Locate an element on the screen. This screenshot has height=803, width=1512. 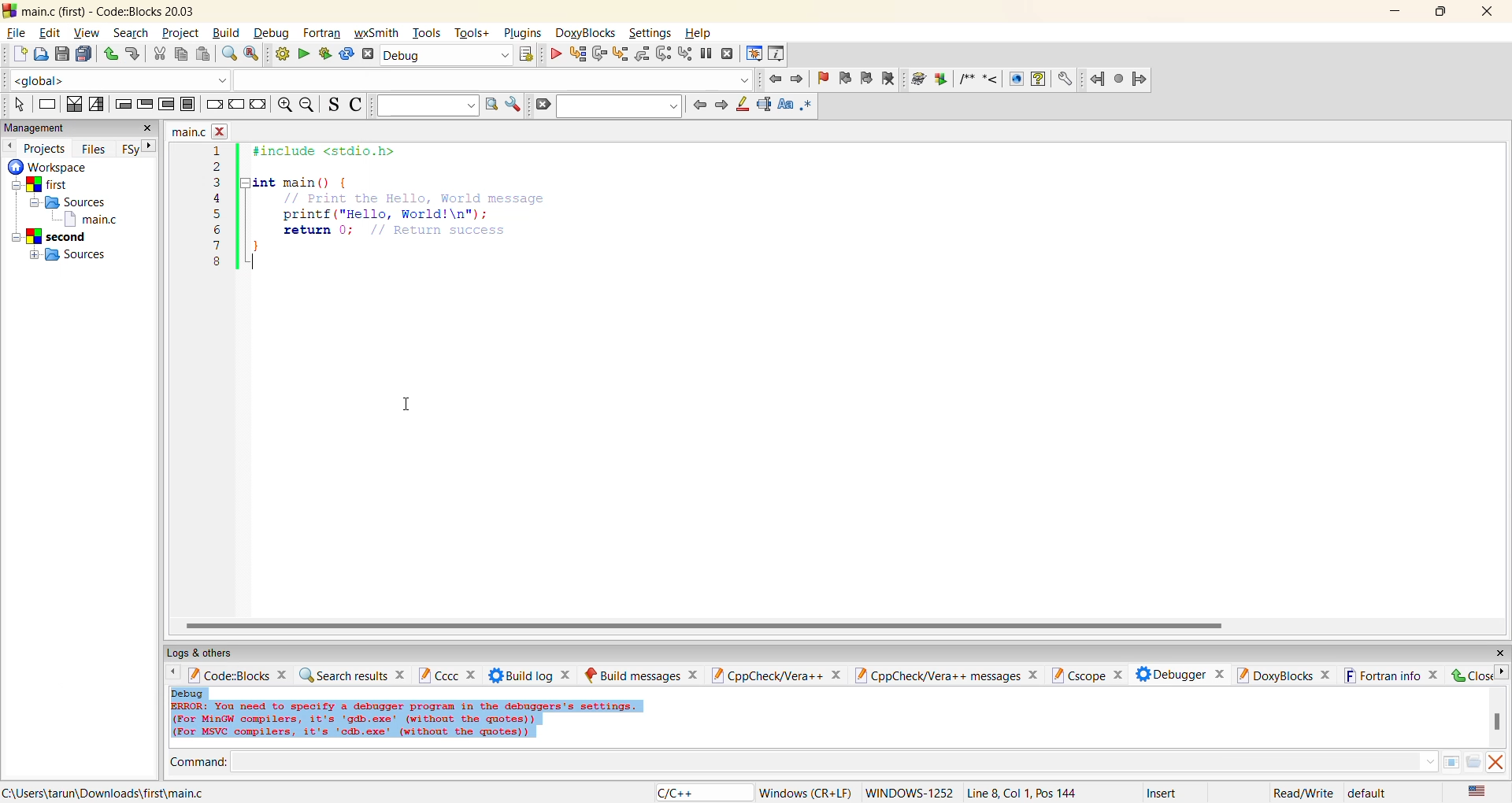
search is located at coordinates (621, 106).